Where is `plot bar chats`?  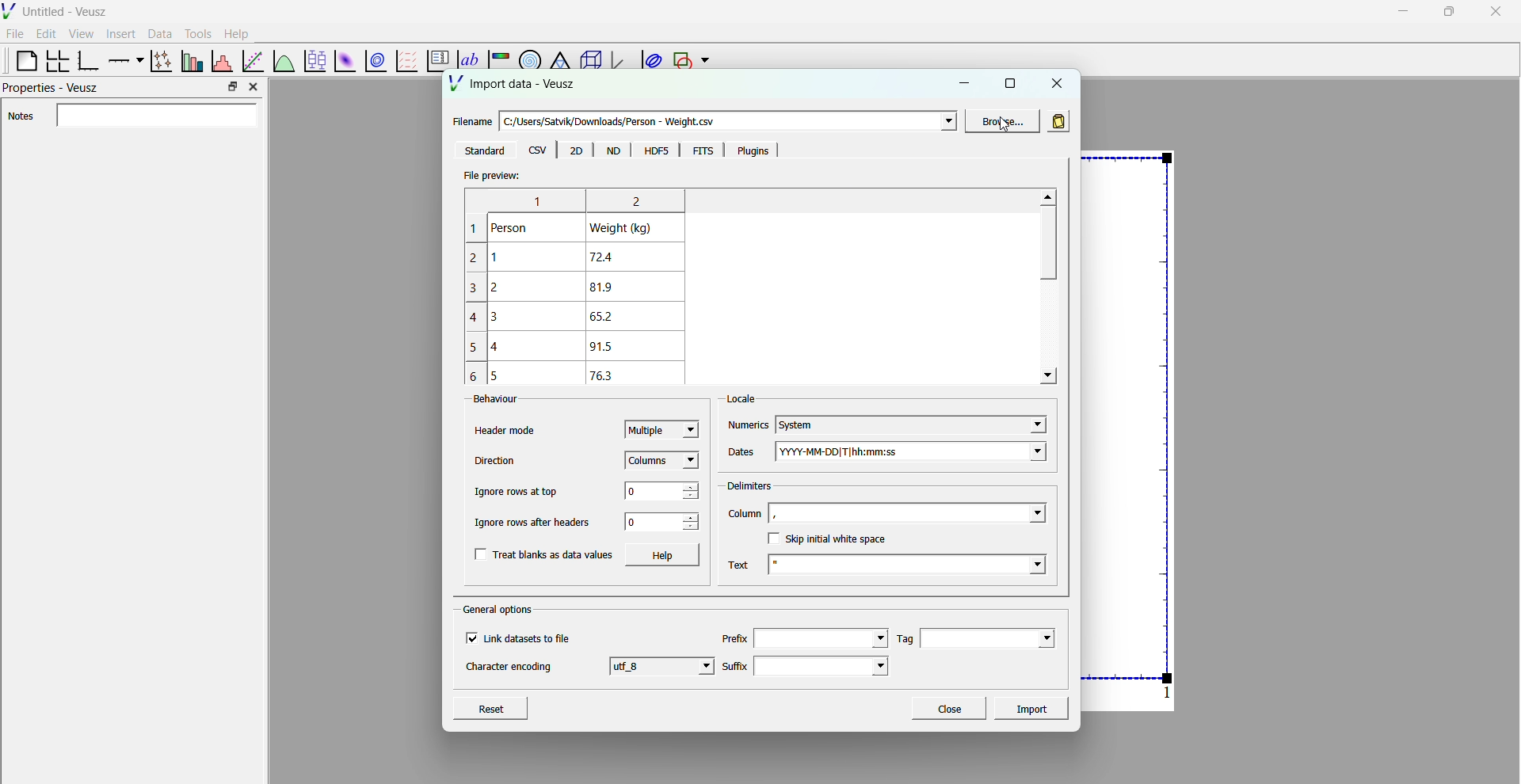 plot bar chats is located at coordinates (190, 61).